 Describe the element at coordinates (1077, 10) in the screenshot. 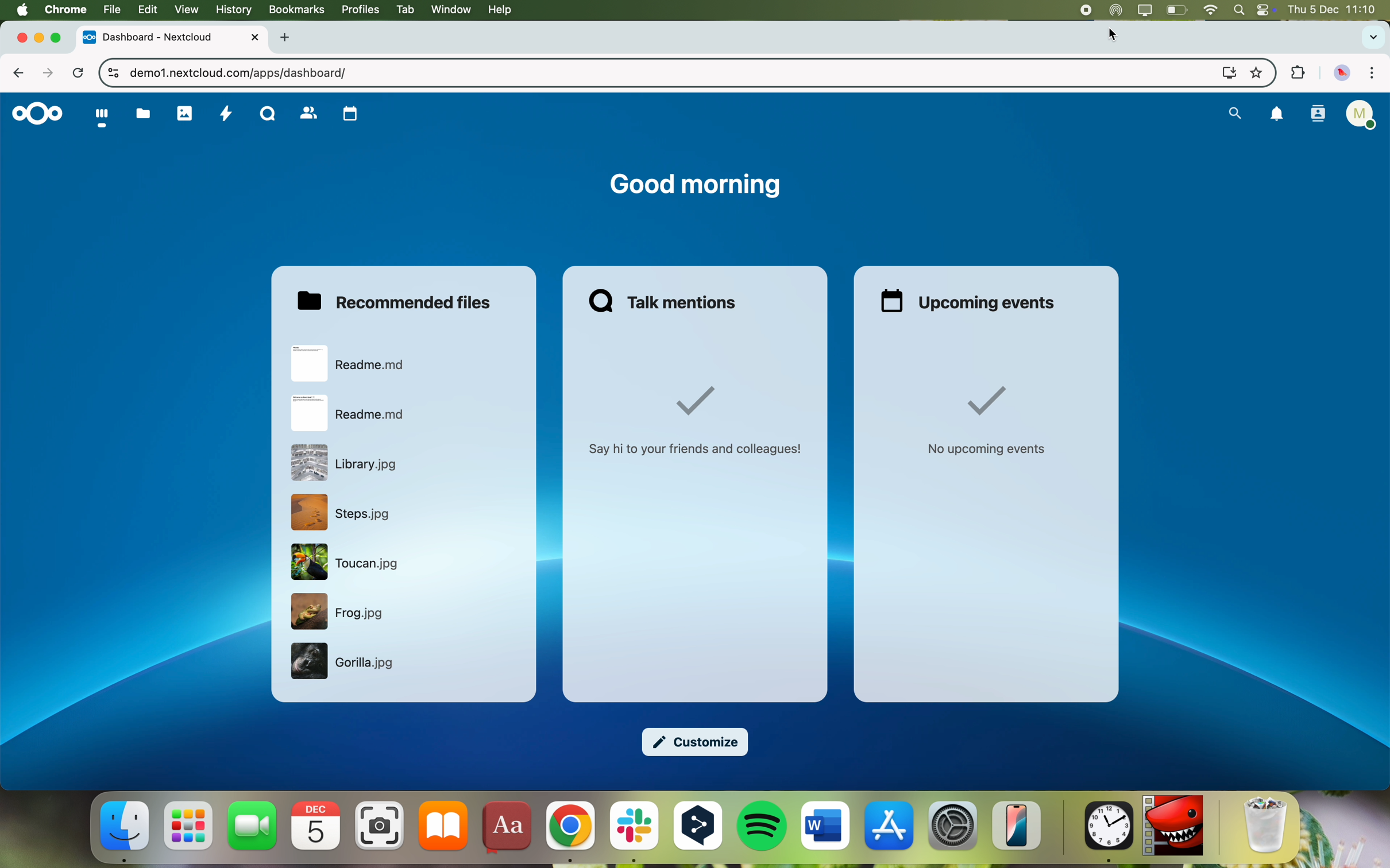

I see `stop recording` at that location.